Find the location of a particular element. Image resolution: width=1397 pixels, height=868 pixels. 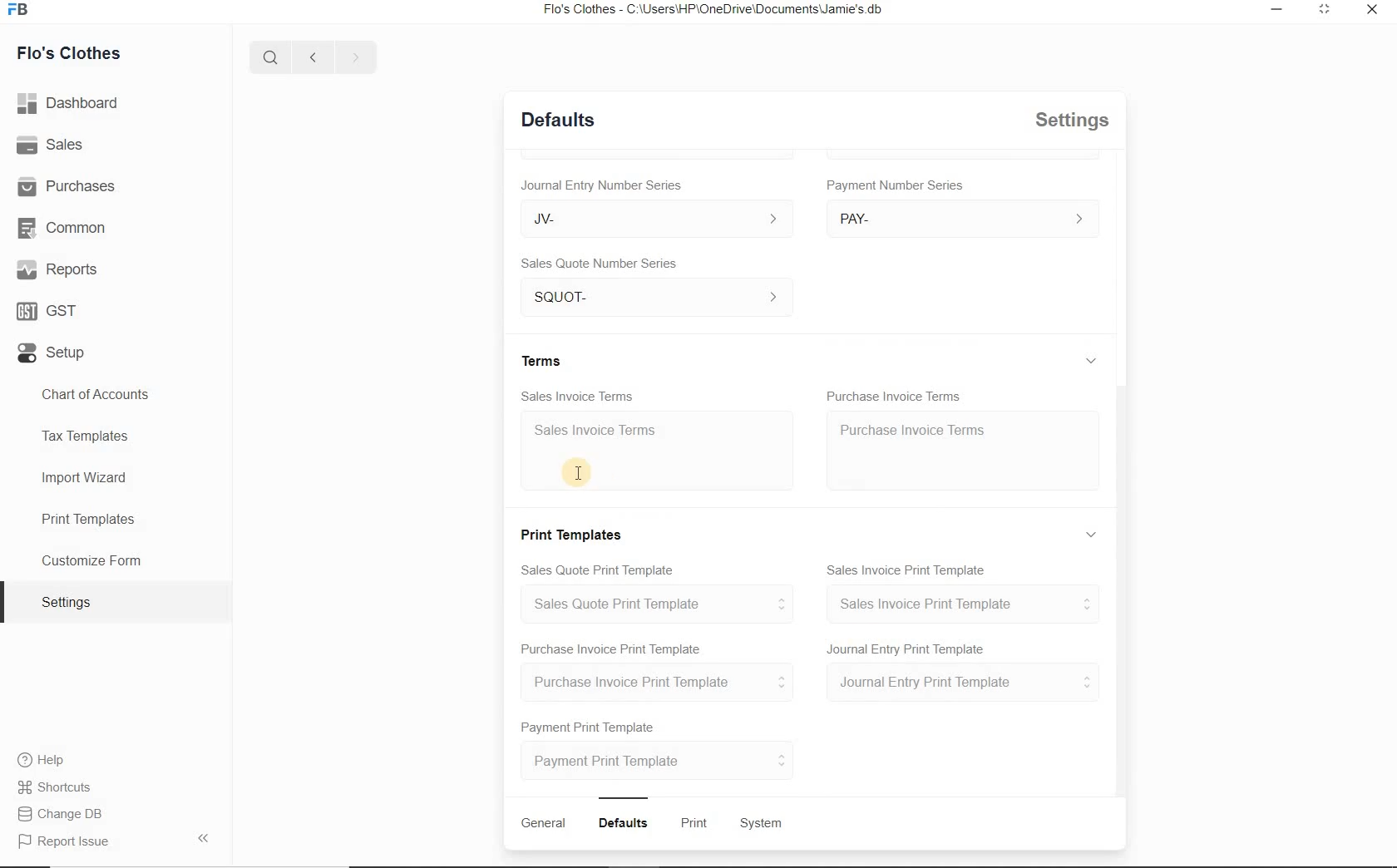

Purchases is located at coordinates (67, 185).